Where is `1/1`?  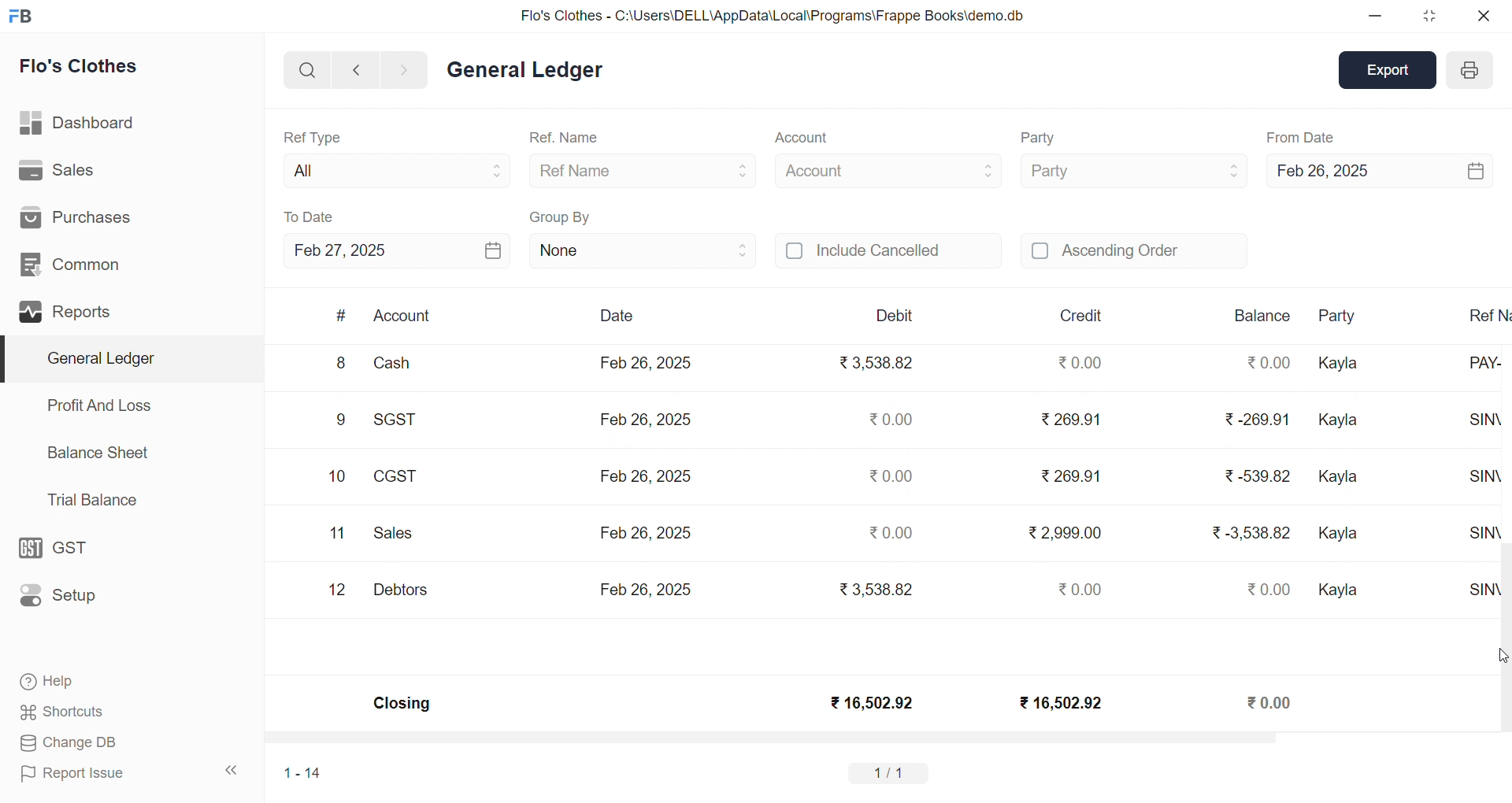
1/1 is located at coordinates (892, 772).